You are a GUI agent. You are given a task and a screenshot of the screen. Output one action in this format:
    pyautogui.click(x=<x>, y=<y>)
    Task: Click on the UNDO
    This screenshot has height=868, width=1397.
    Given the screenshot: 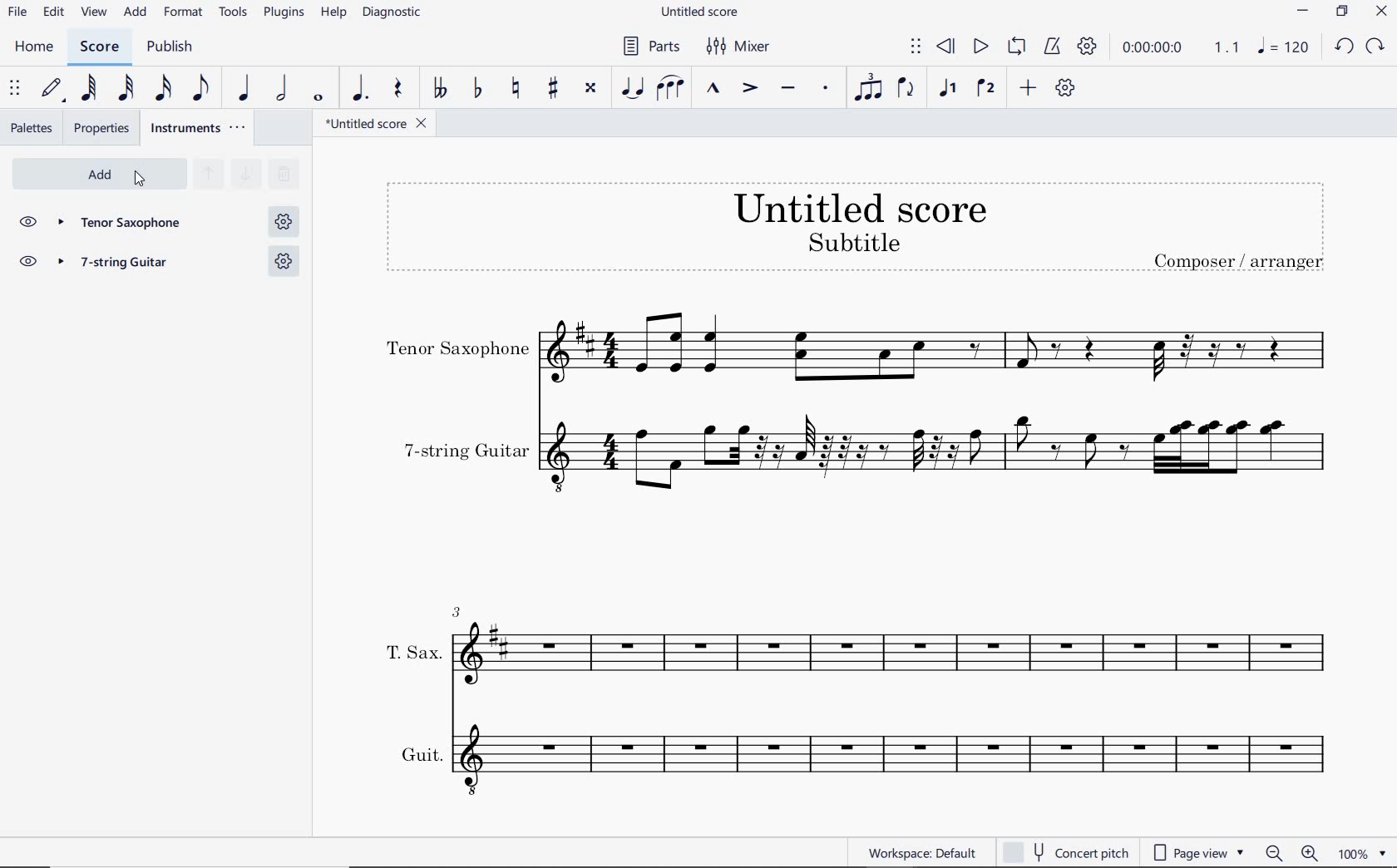 What is the action you would take?
    pyautogui.click(x=1344, y=47)
    